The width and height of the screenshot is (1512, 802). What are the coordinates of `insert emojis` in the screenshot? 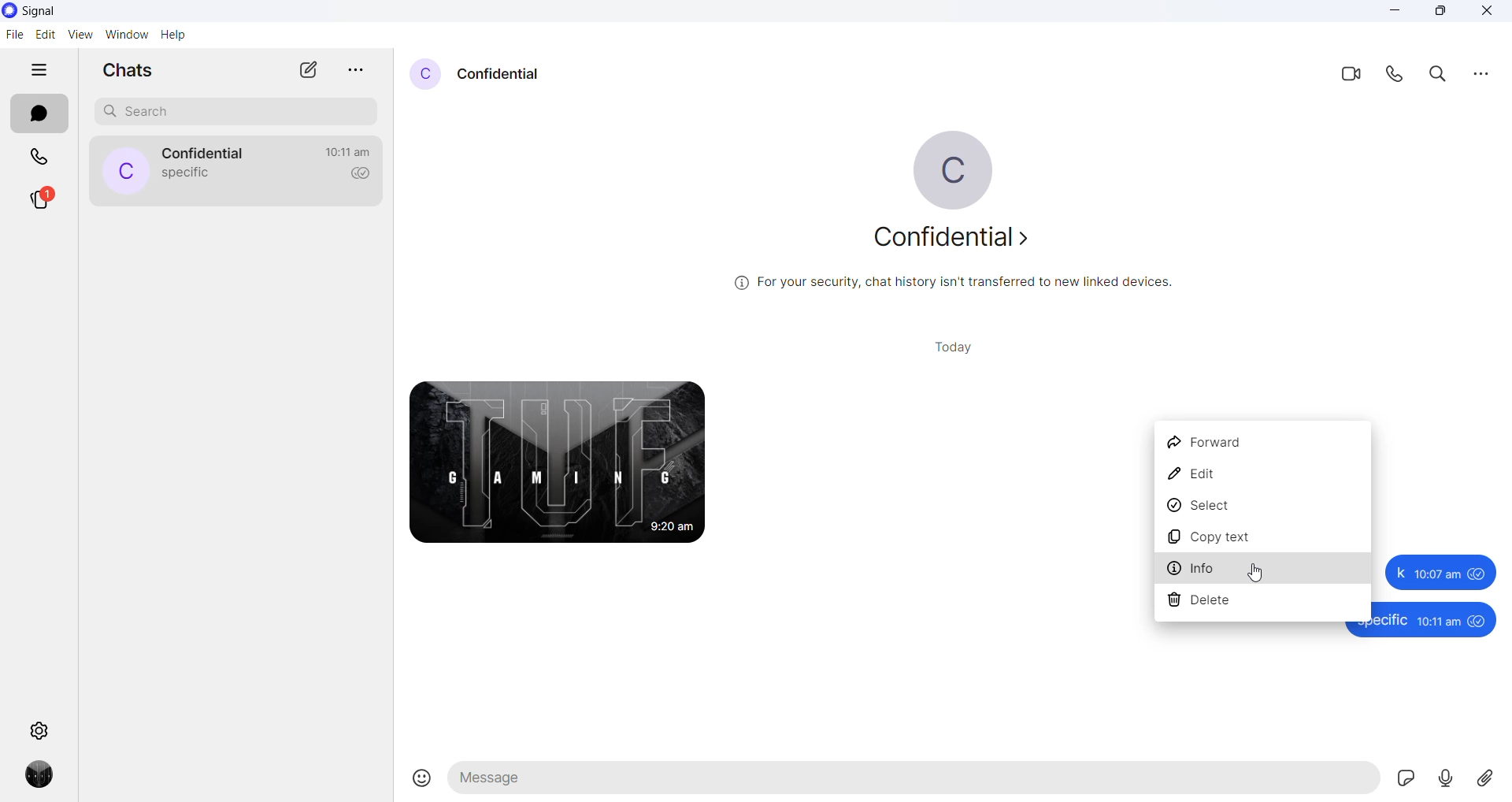 It's located at (415, 779).